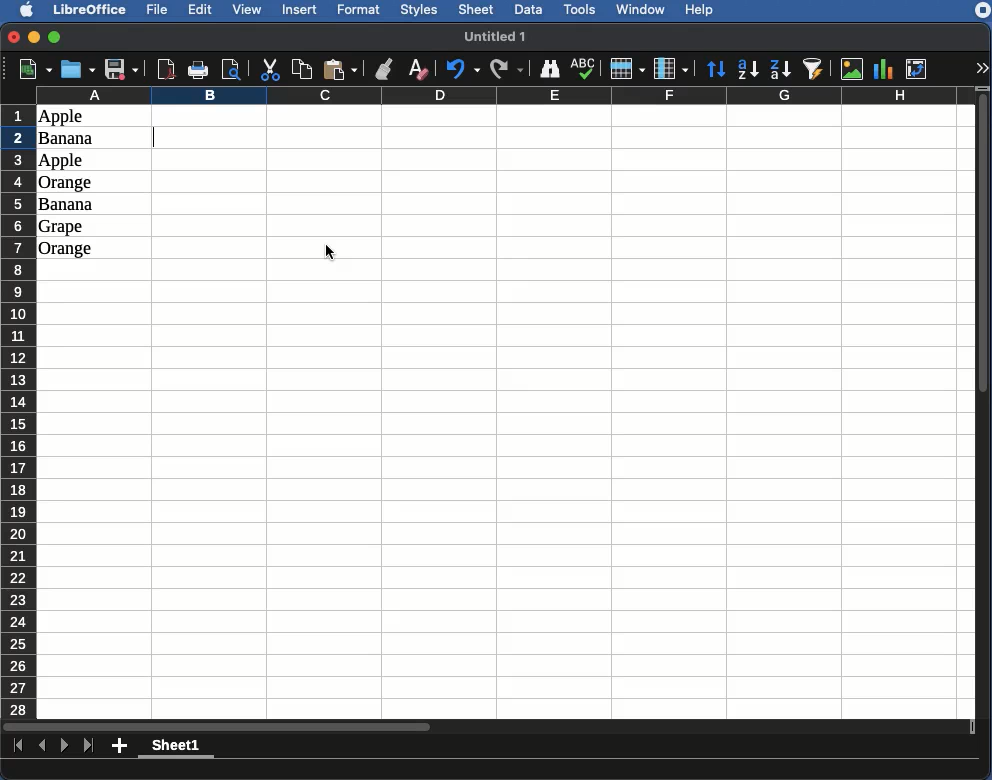  What do you see at coordinates (644, 10) in the screenshot?
I see `Window` at bounding box center [644, 10].